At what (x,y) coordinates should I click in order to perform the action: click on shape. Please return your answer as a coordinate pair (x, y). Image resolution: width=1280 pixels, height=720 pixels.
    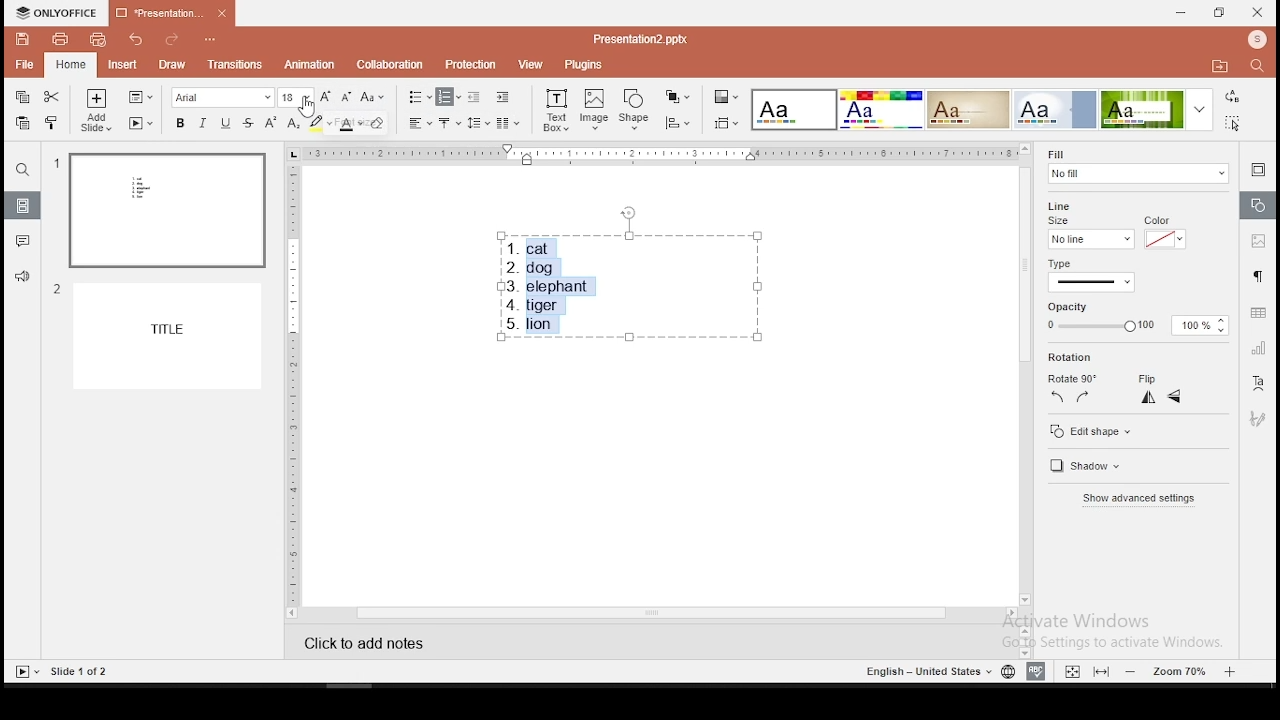
    Looking at the image, I should click on (635, 110).